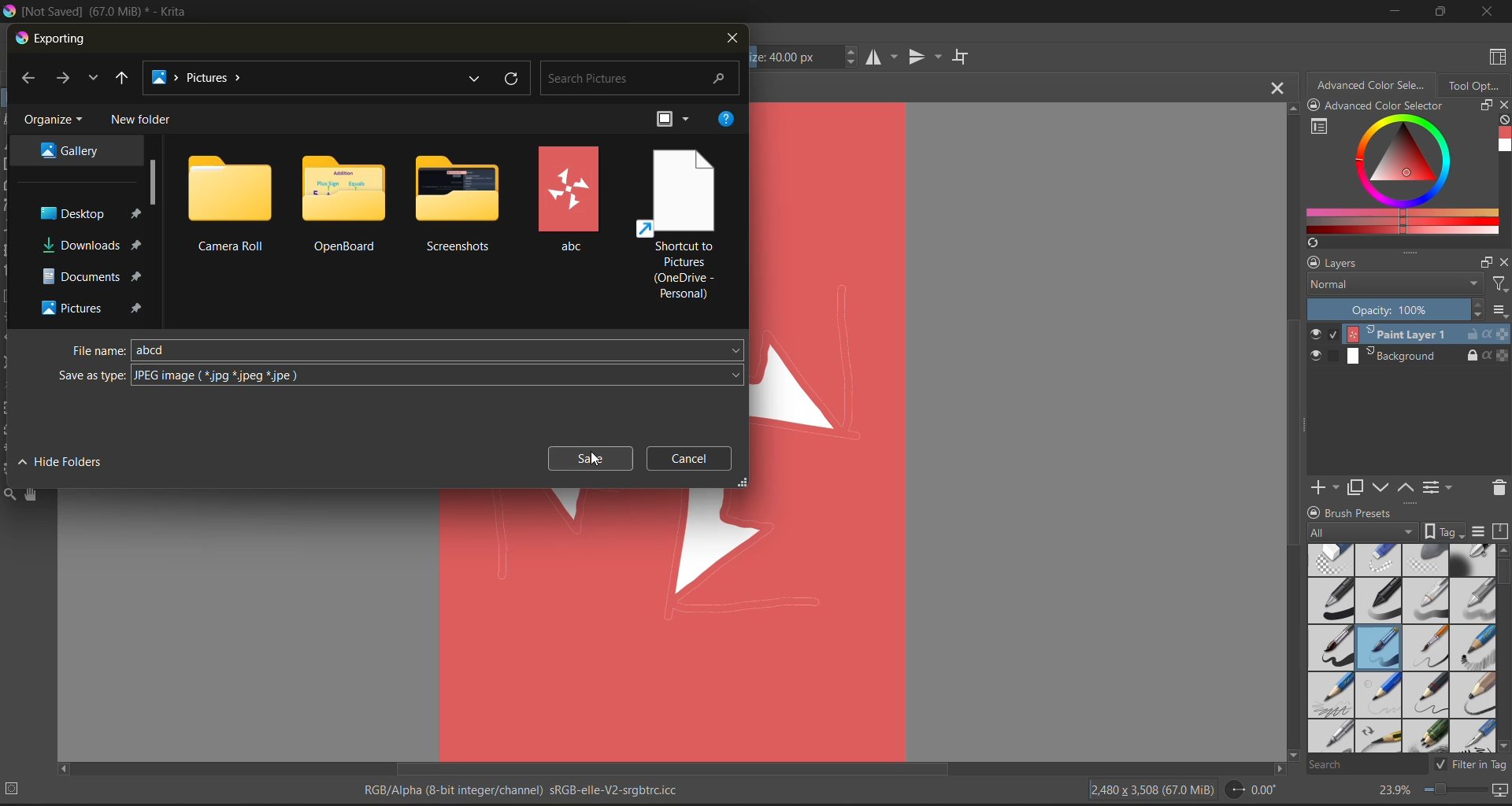 This screenshot has height=806, width=1512. I want to click on hide folders, so click(58, 464).